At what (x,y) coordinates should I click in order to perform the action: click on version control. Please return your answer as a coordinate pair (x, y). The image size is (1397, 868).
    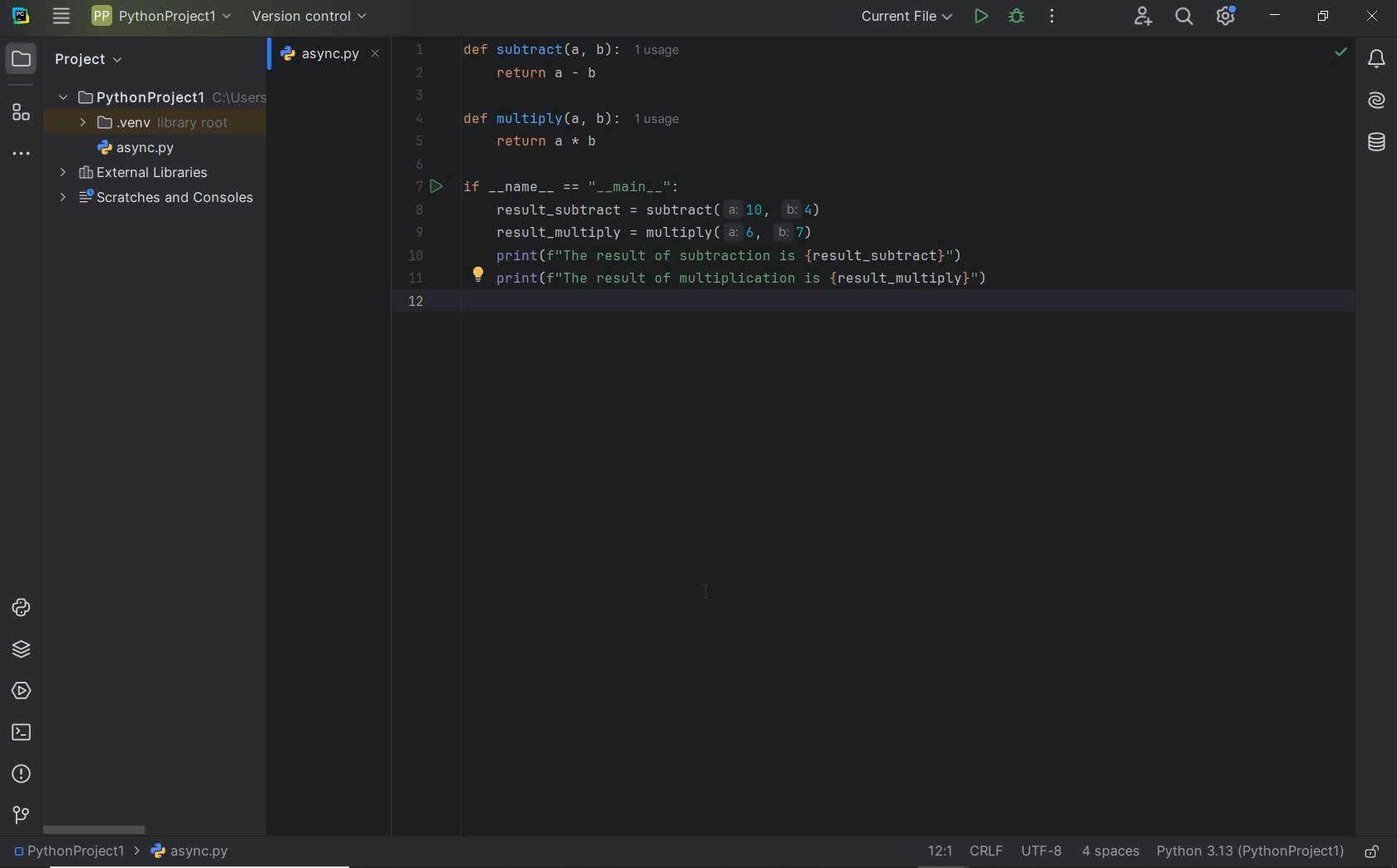
    Looking at the image, I should click on (21, 816).